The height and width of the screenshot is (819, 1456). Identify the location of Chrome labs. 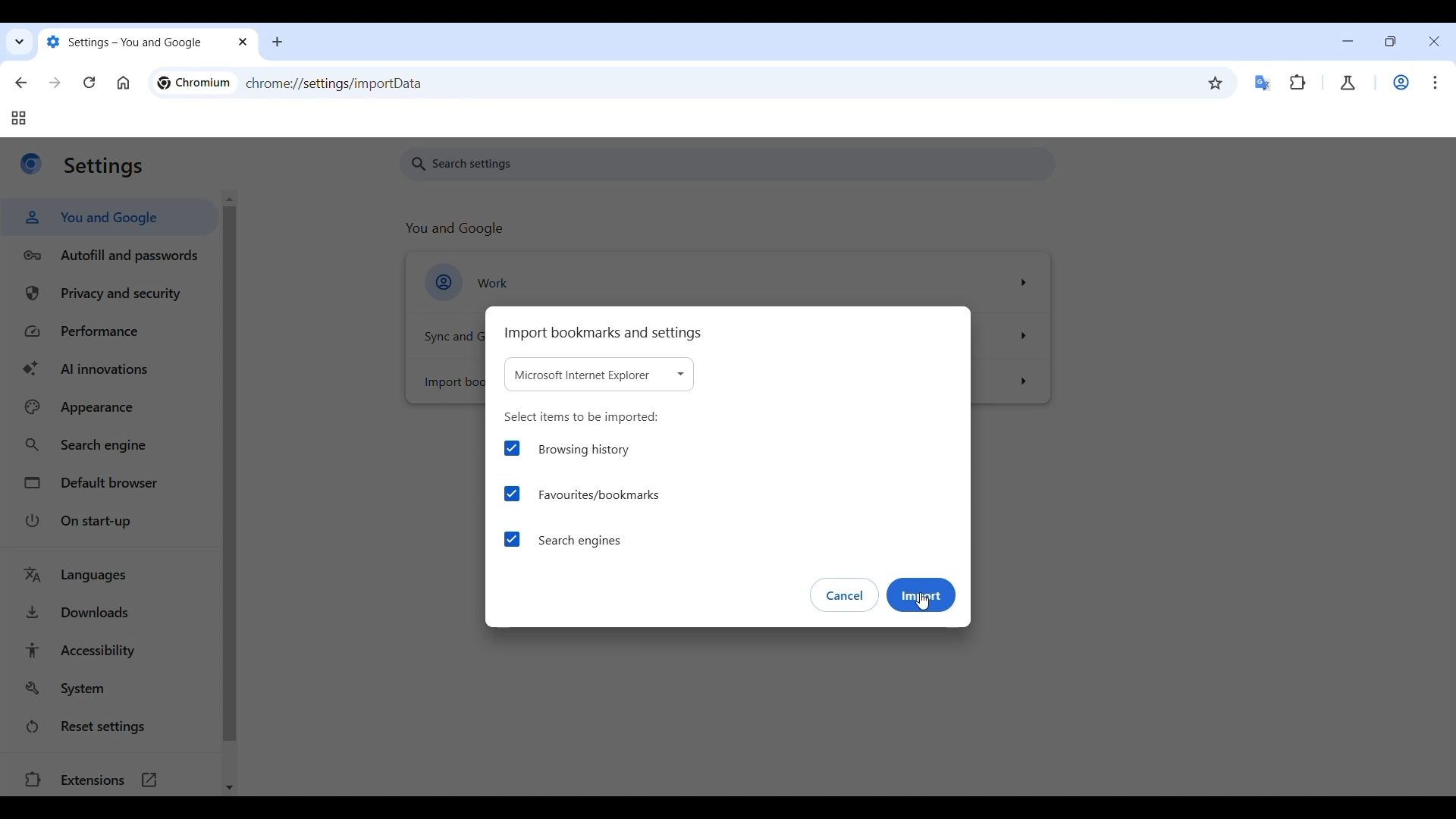
(1348, 83).